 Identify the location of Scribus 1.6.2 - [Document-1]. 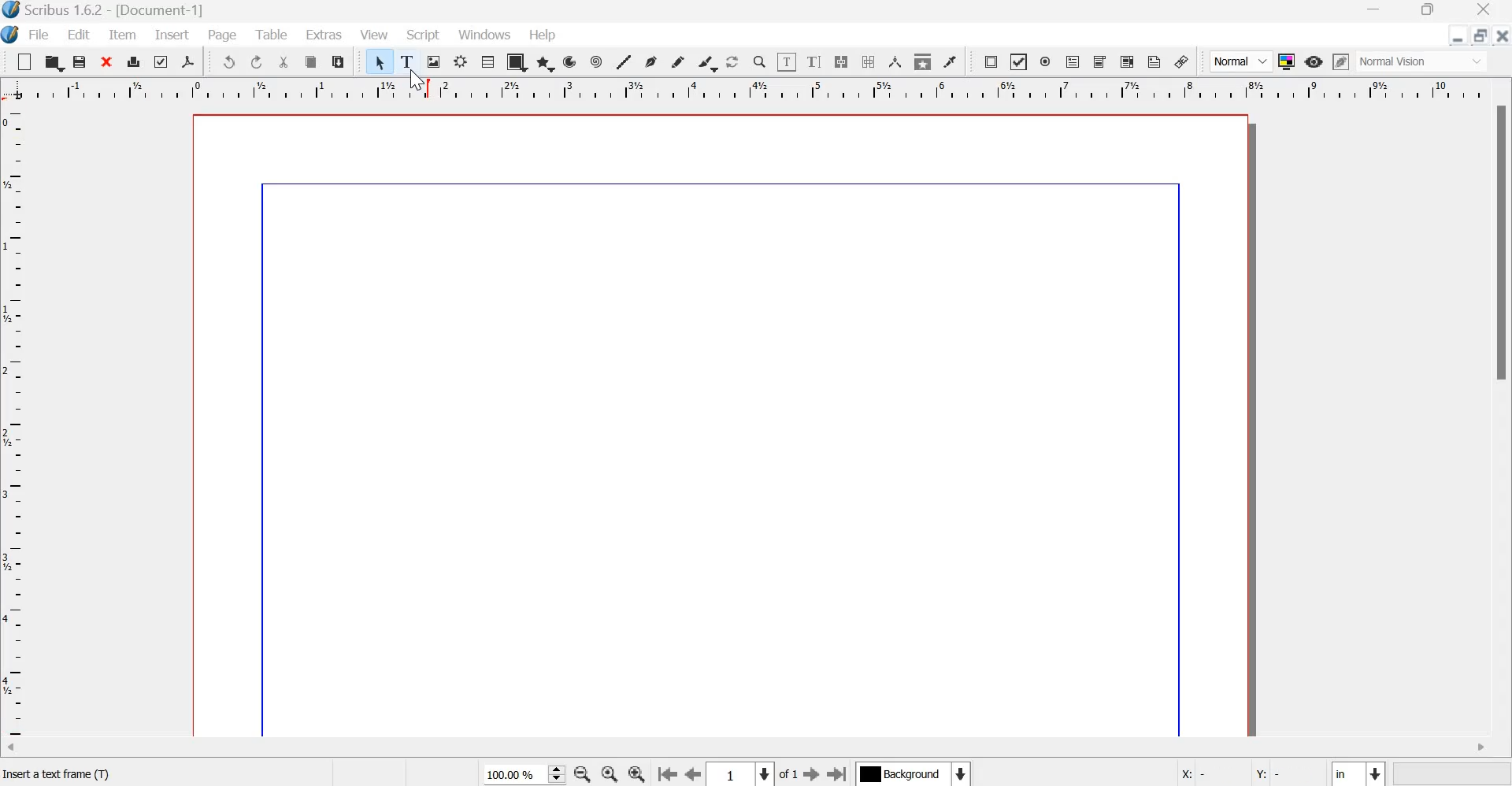
(113, 11).